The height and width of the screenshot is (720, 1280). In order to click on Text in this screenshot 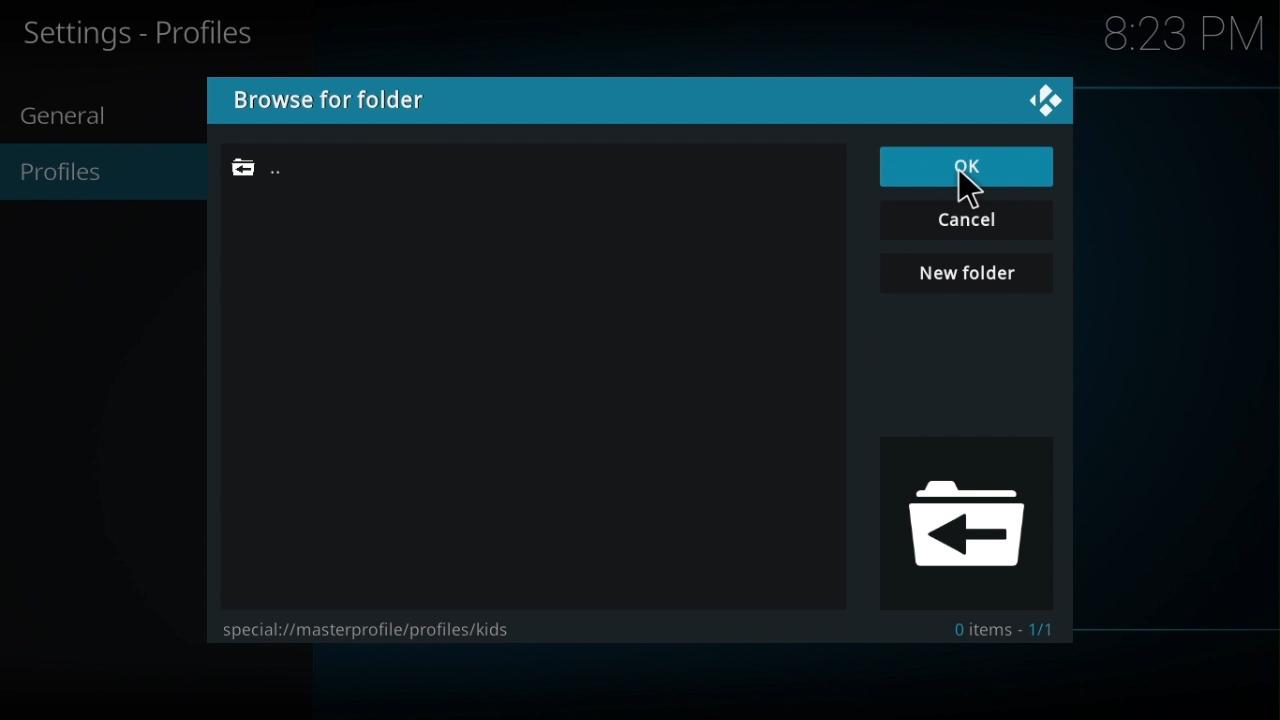, I will do `click(1008, 629)`.